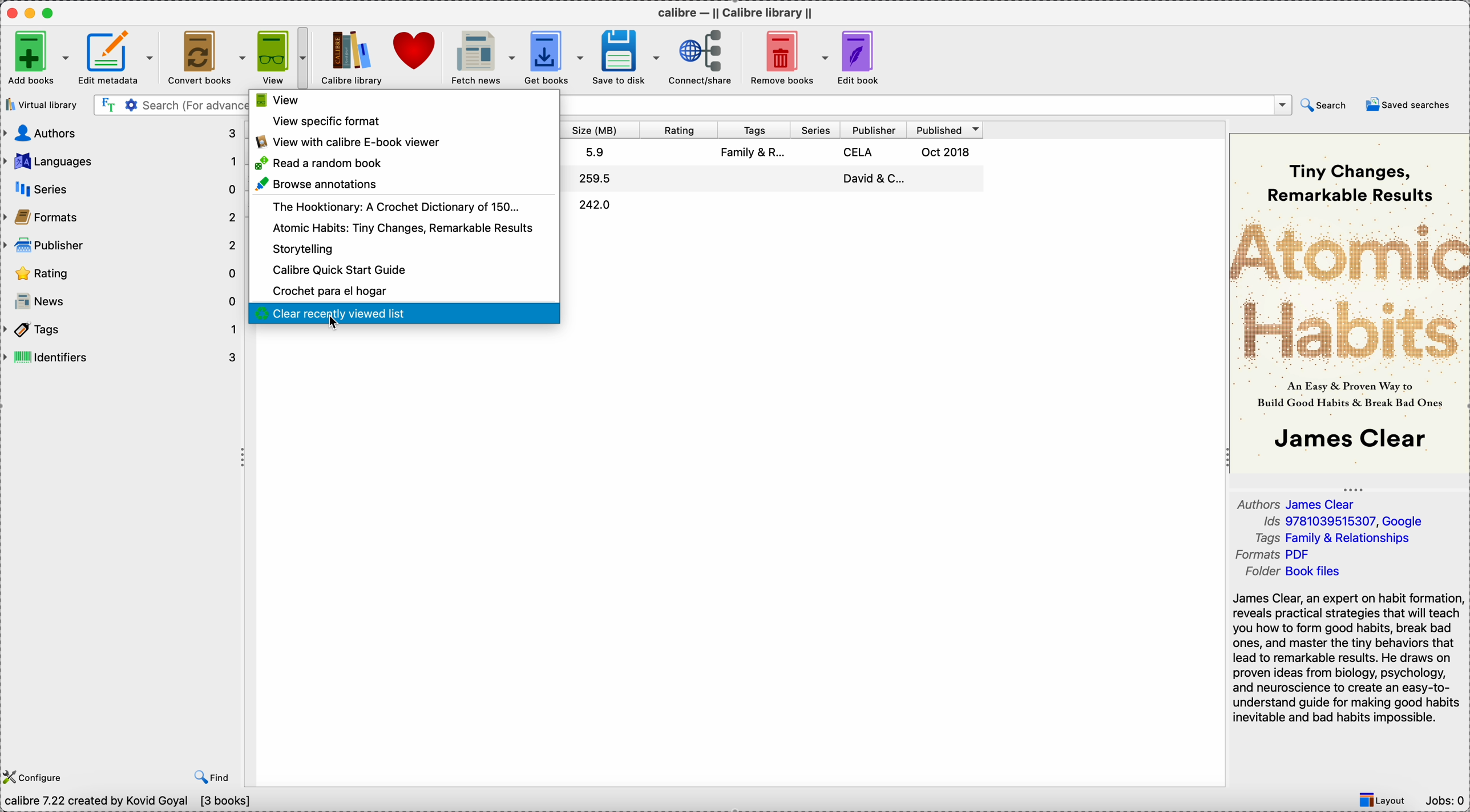  What do you see at coordinates (404, 315) in the screenshot?
I see `click on clear recently viewed list` at bounding box center [404, 315].